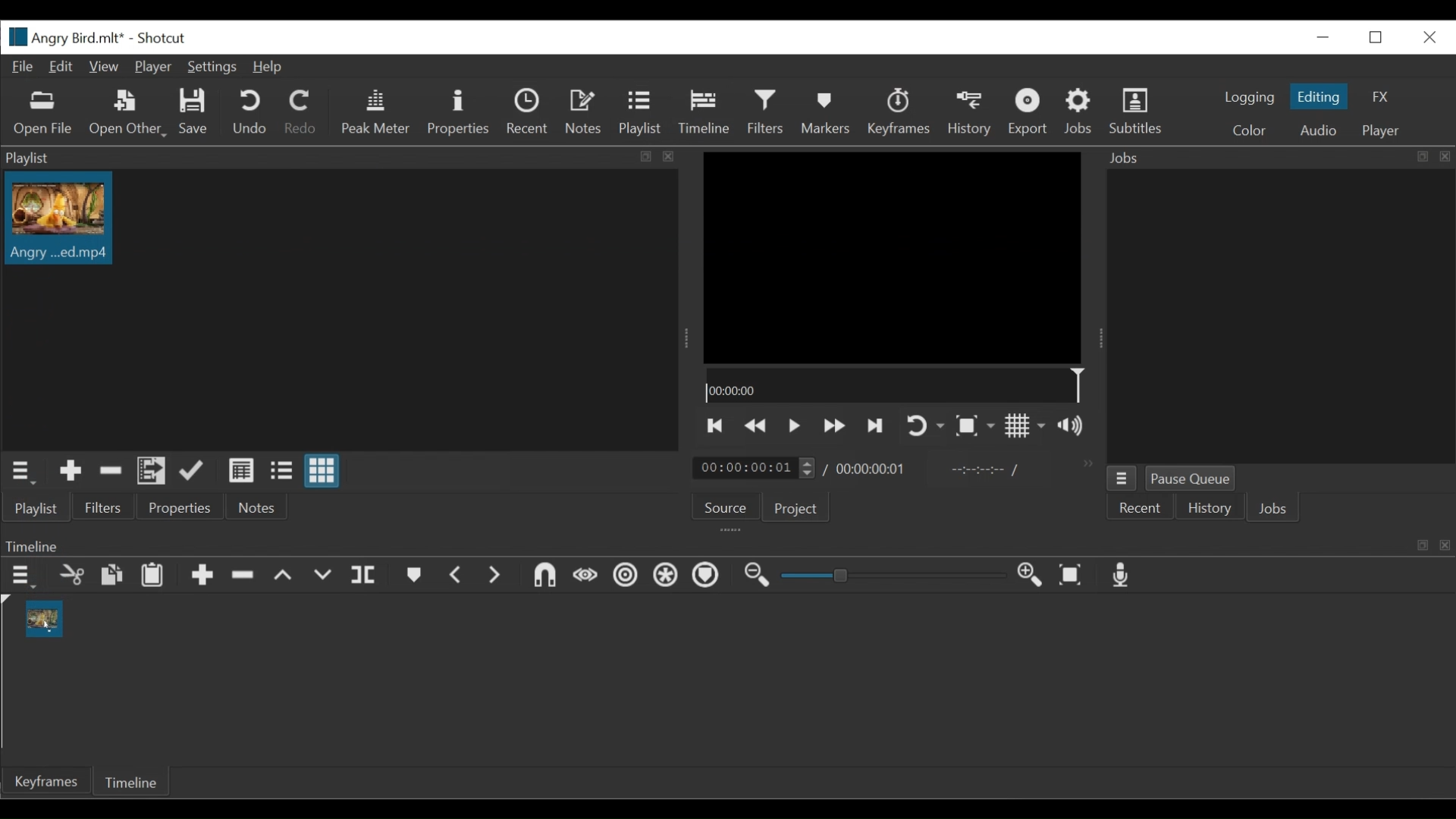  I want to click on Player, so click(1385, 132).